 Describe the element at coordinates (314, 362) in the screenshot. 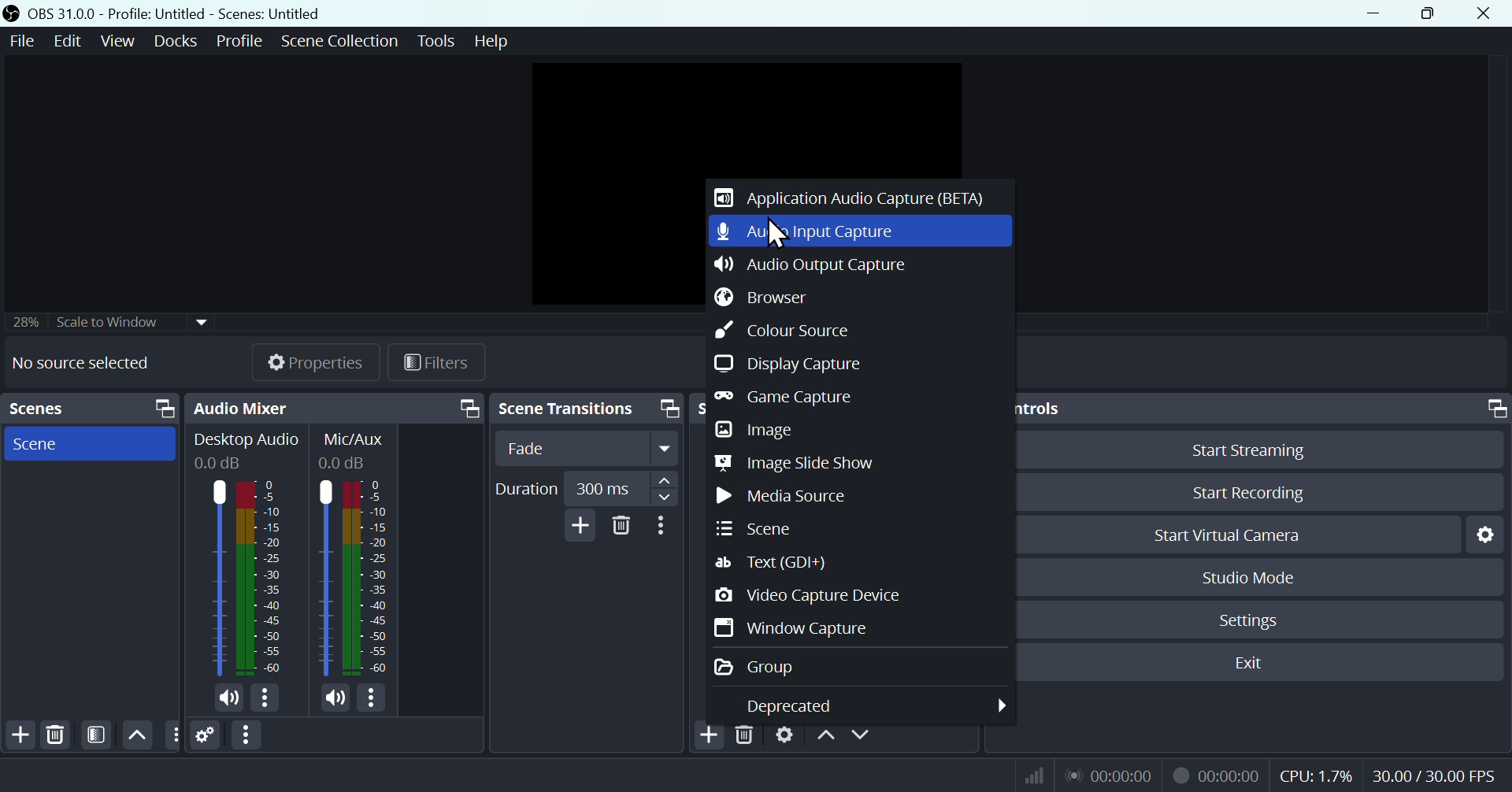

I see `Properties` at that location.